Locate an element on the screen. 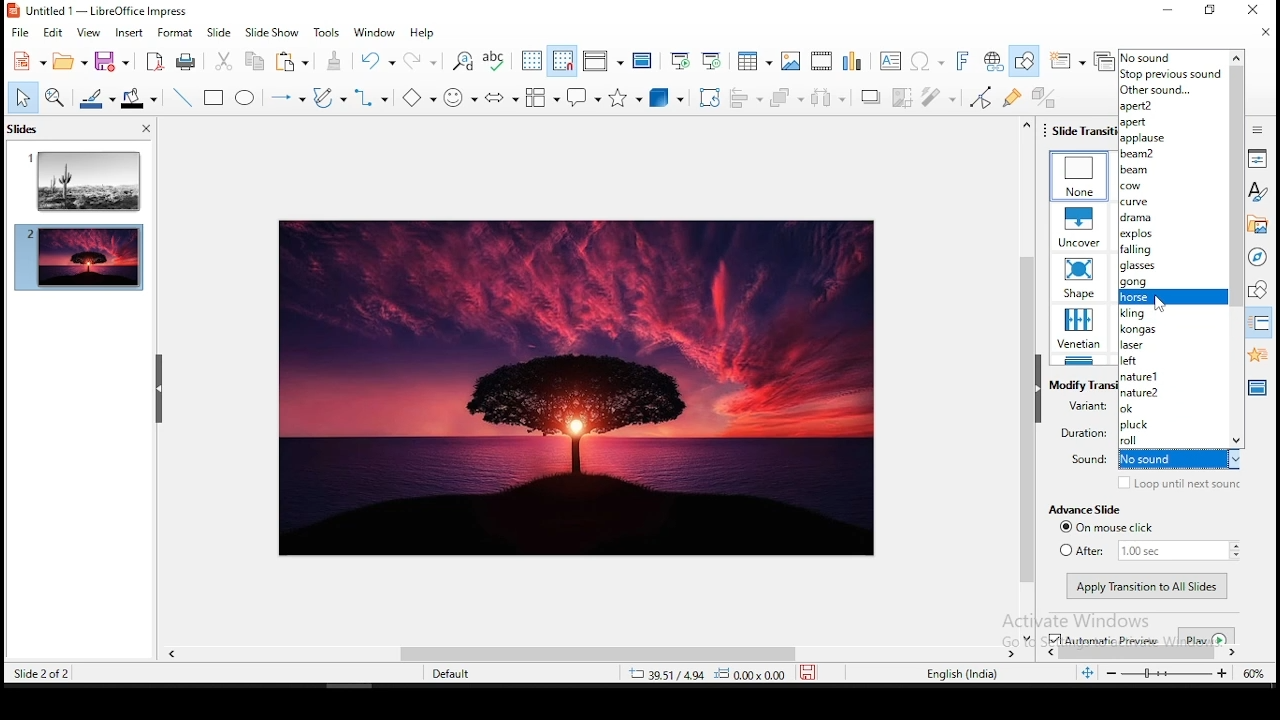 The height and width of the screenshot is (720, 1280). slide 1 is located at coordinates (79, 178).